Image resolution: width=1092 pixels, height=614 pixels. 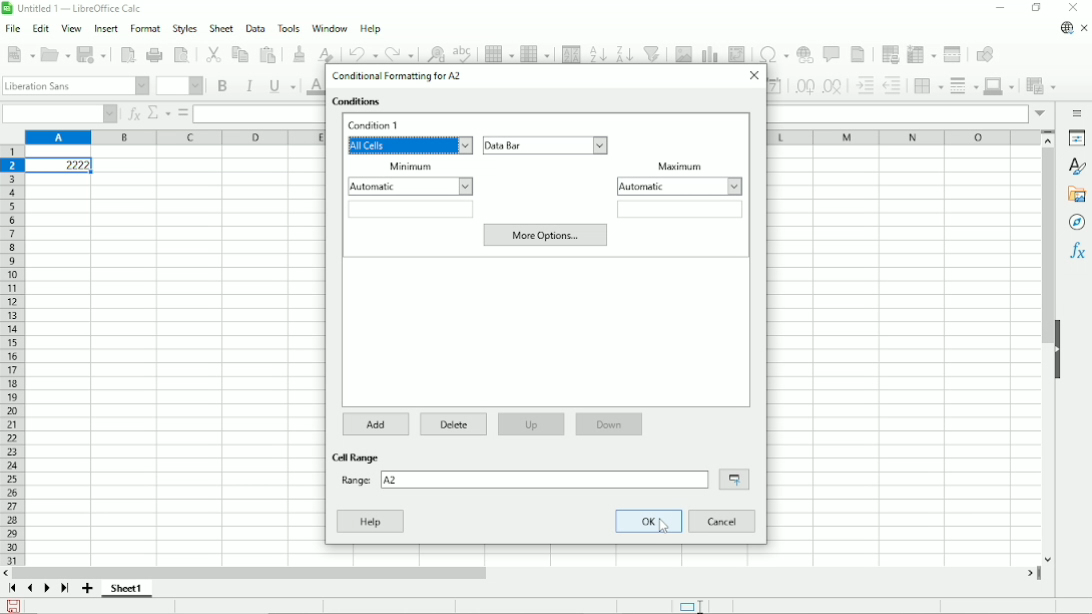 What do you see at coordinates (1059, 350) in the screenshot?
I see `Hide` at bounding box center [1059, 350].